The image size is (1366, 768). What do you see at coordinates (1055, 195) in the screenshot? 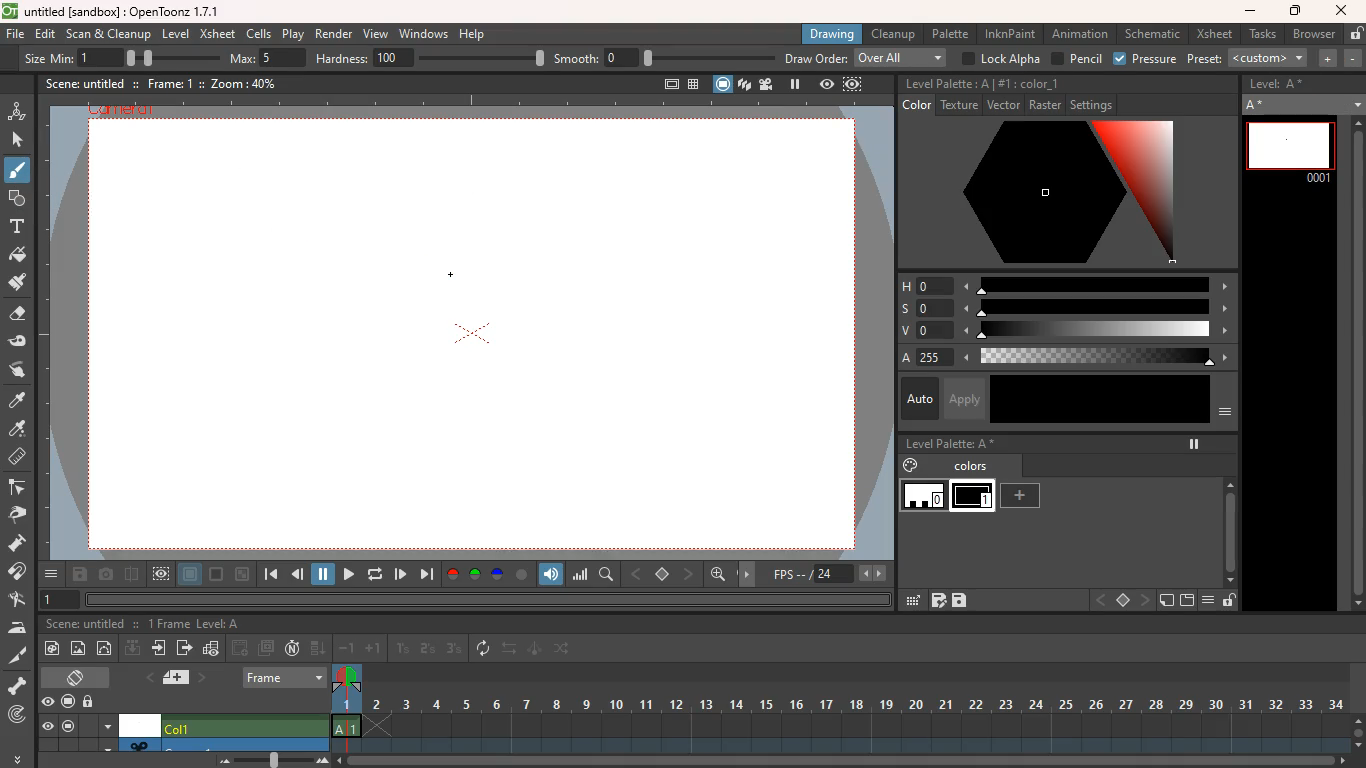
I see `color` at bounding box center [1055, 195].